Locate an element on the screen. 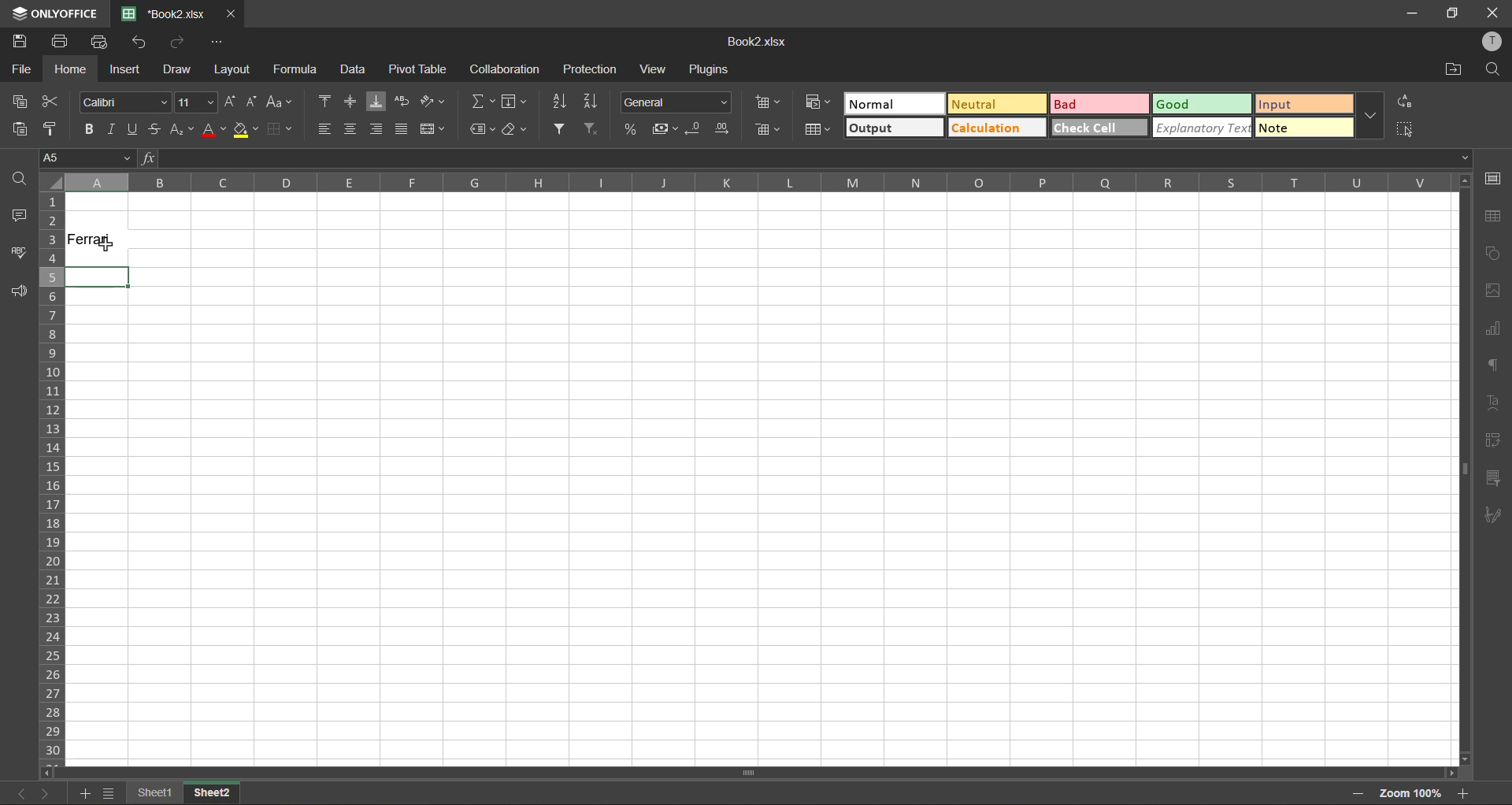  sort ascending is located at coordinates (562, 101).